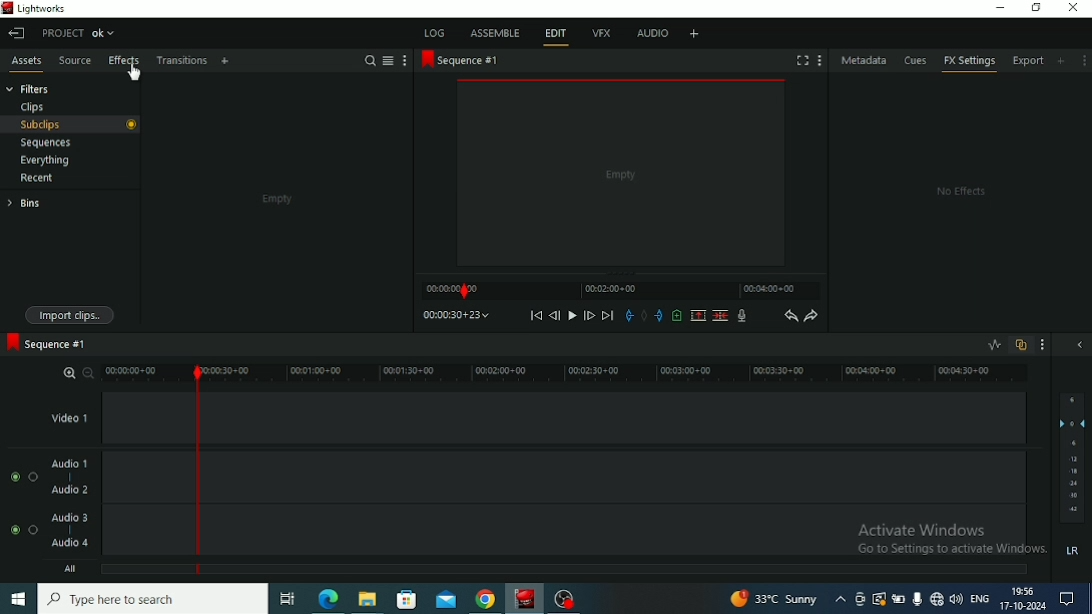 Image resolution: width=1092 pixels, height=614 pixels. What do you see at coordinates (742, 316) in the screenshot?
I see `record a voice-over` at bounding box center [742, 316].